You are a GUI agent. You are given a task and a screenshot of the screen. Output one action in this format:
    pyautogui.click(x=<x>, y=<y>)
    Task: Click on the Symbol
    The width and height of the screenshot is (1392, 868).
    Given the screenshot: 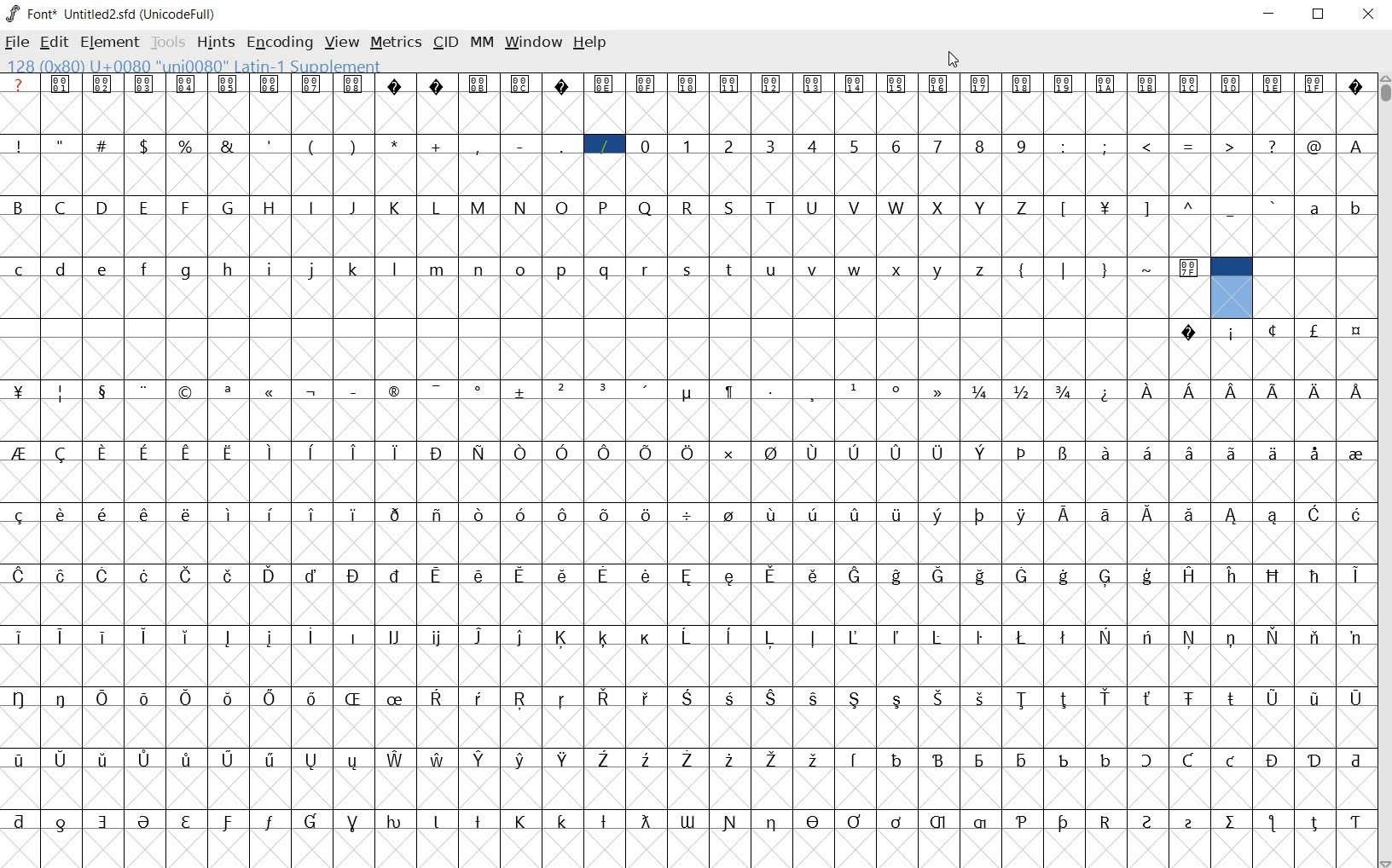 What is the action you would take?
    pyautogui.click(x=1273, y=575)
    